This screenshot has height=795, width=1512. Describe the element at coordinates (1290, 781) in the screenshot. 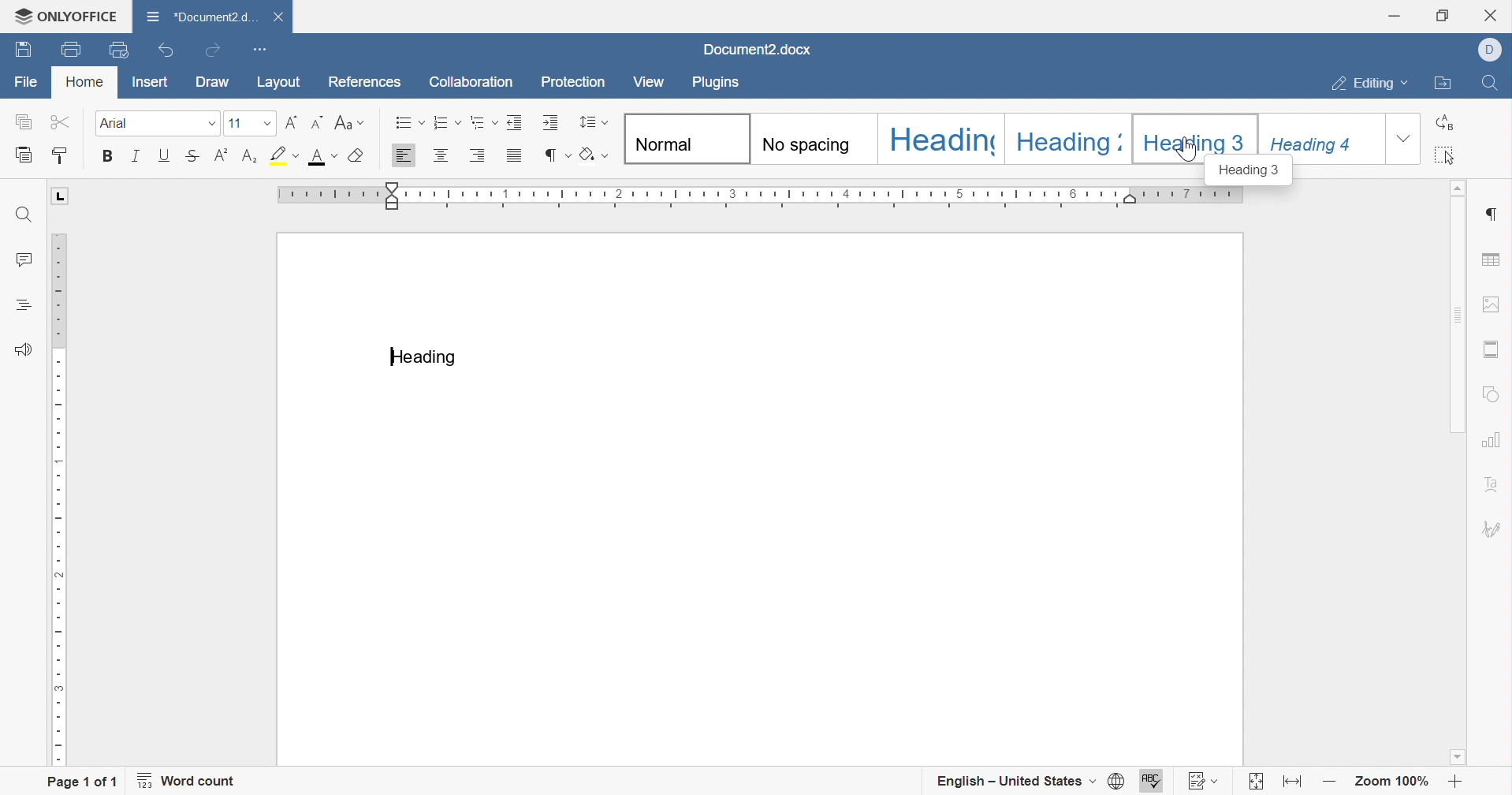

I see `Fit to width` at that location.